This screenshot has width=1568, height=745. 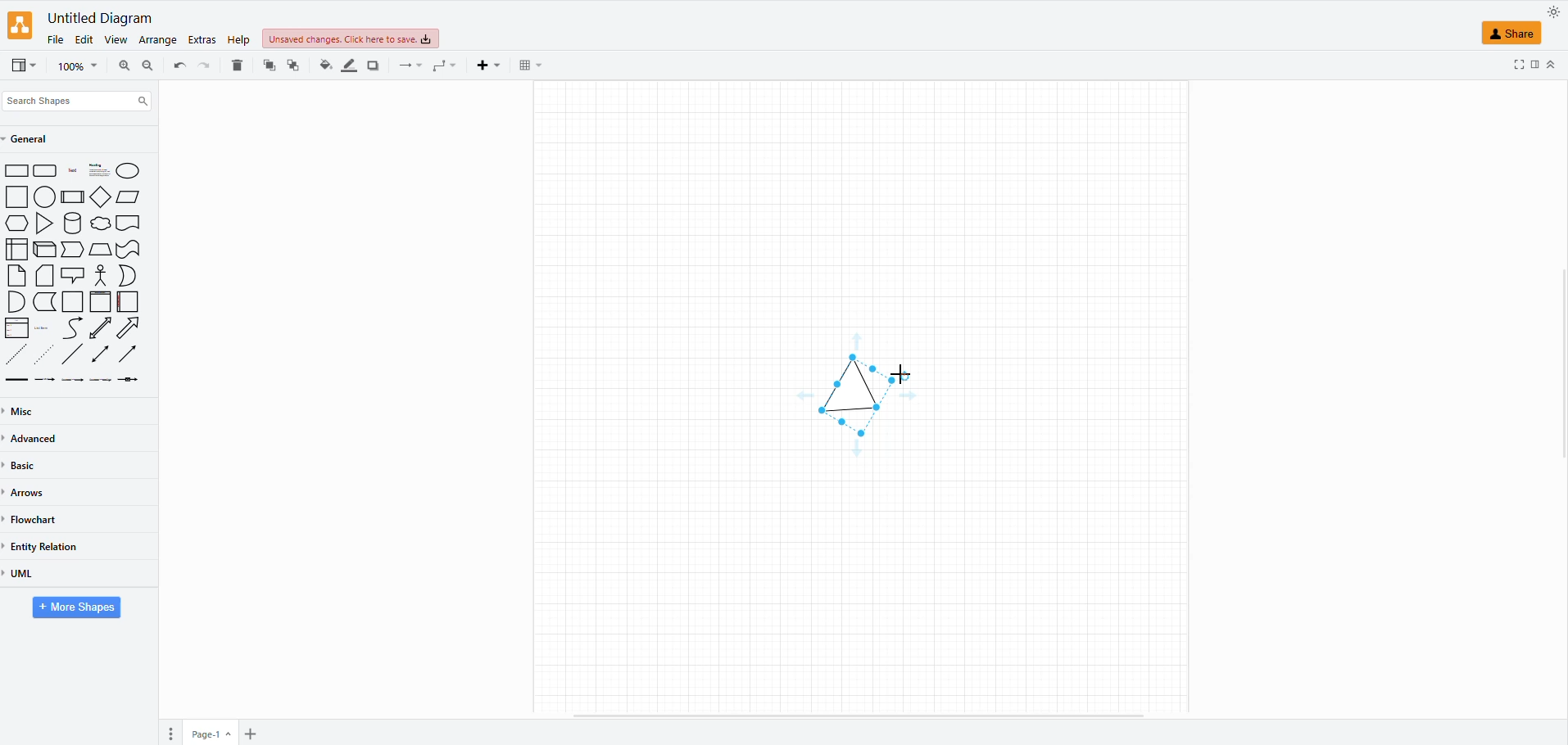 I want to click on Hexagon, so click(x=16, y=223).